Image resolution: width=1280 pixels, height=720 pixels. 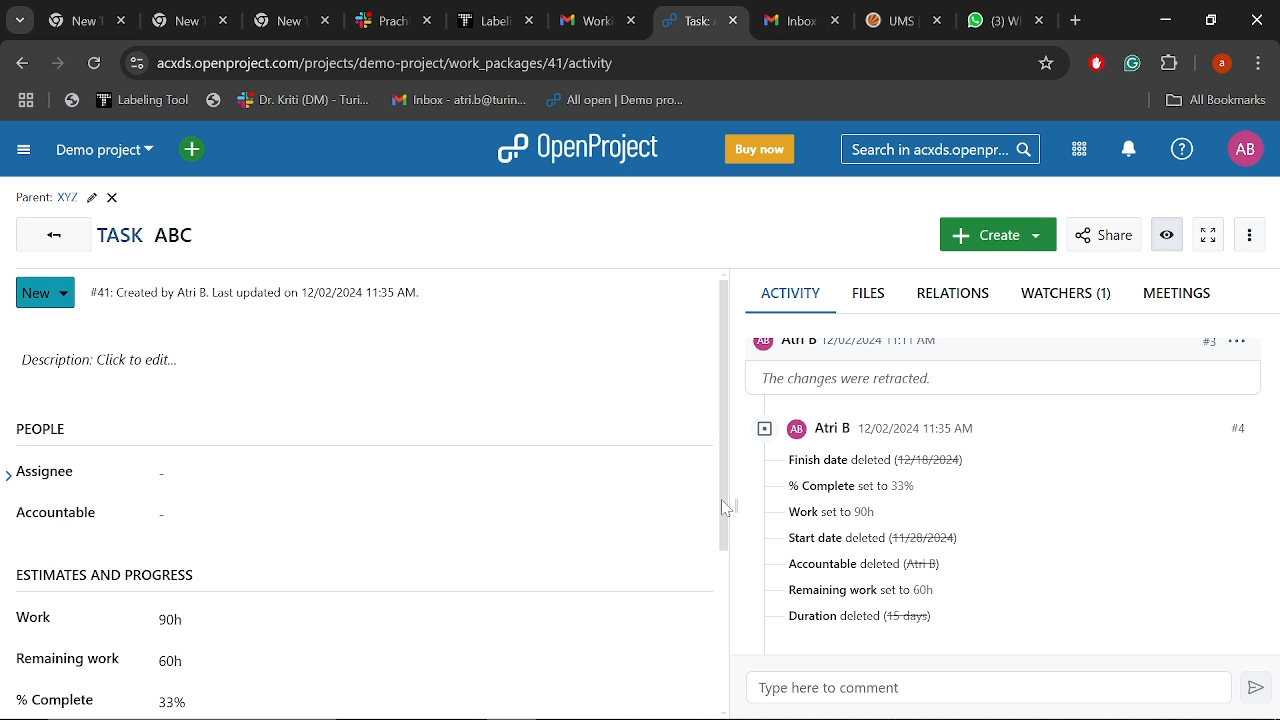 I want to click on Activate zen mode, so click(x=1208, y=235).